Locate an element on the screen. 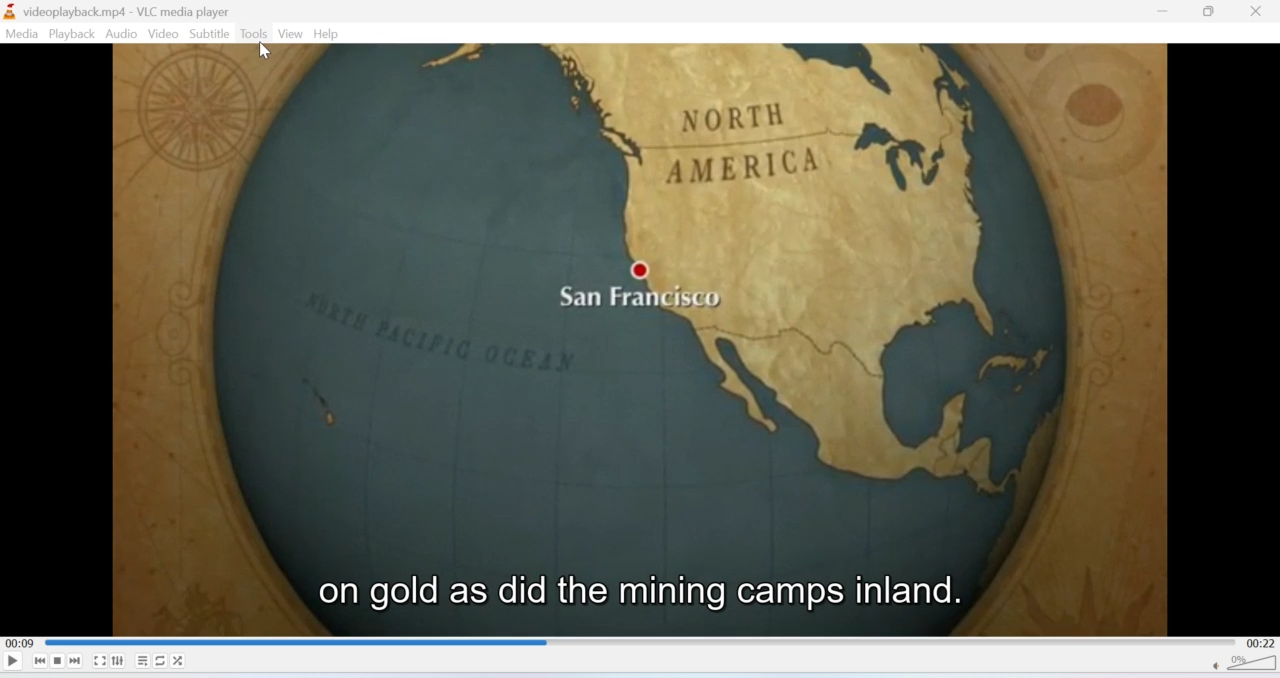  Playbar is located at coordinates (642, 642).